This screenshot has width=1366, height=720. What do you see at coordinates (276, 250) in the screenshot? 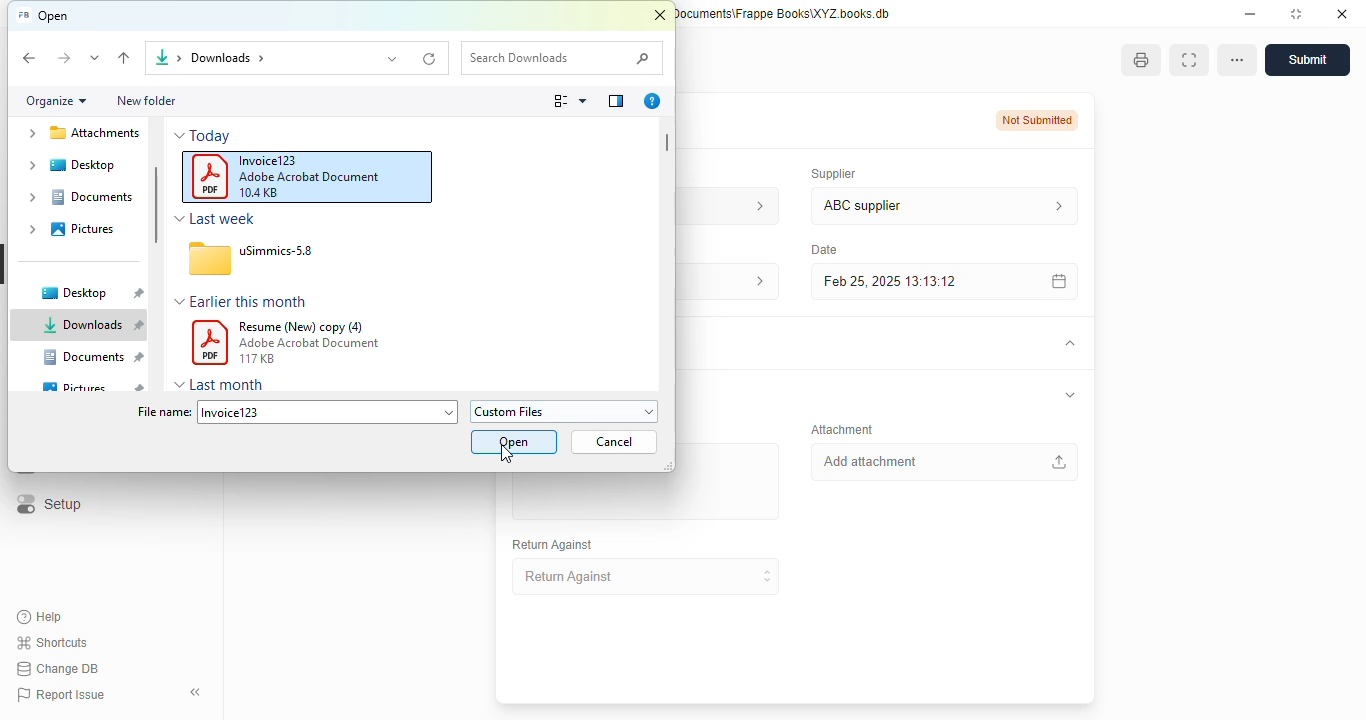
I see `uSimmics-5.8` at bounding box center [276, 250].